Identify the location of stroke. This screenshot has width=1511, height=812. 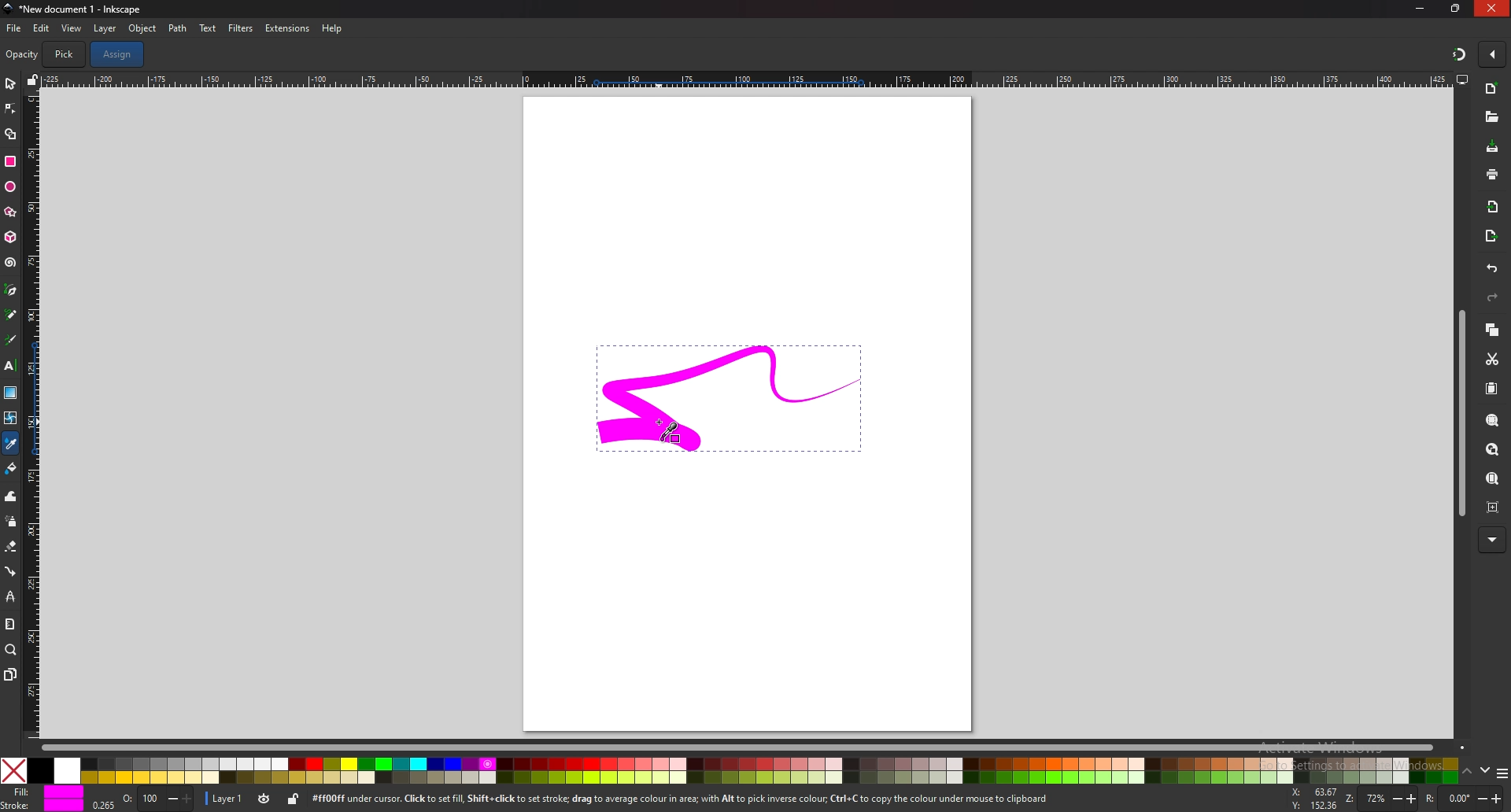
(43, 805).